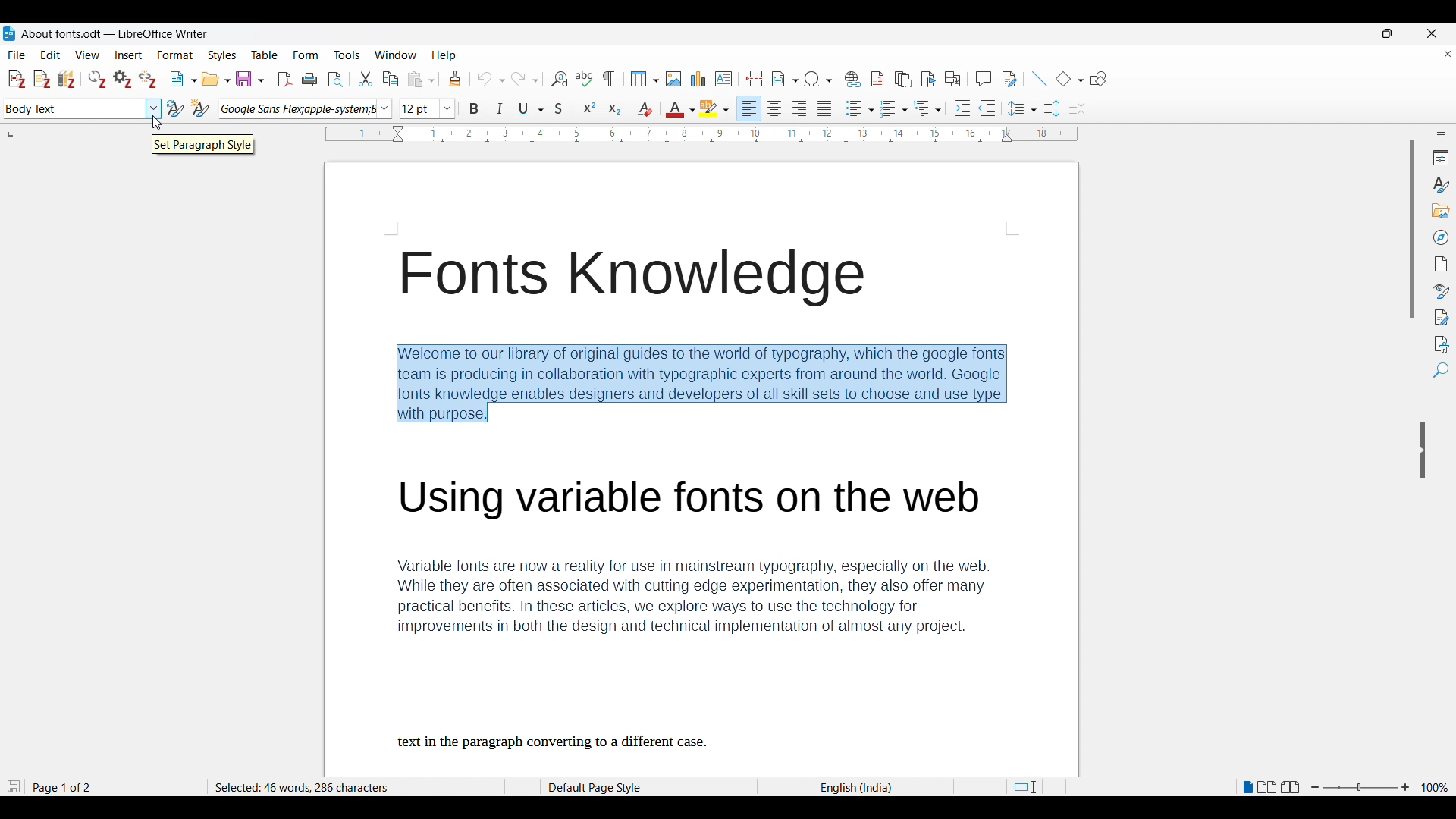  I want to click on Insert bookmark, so click(929, 80).